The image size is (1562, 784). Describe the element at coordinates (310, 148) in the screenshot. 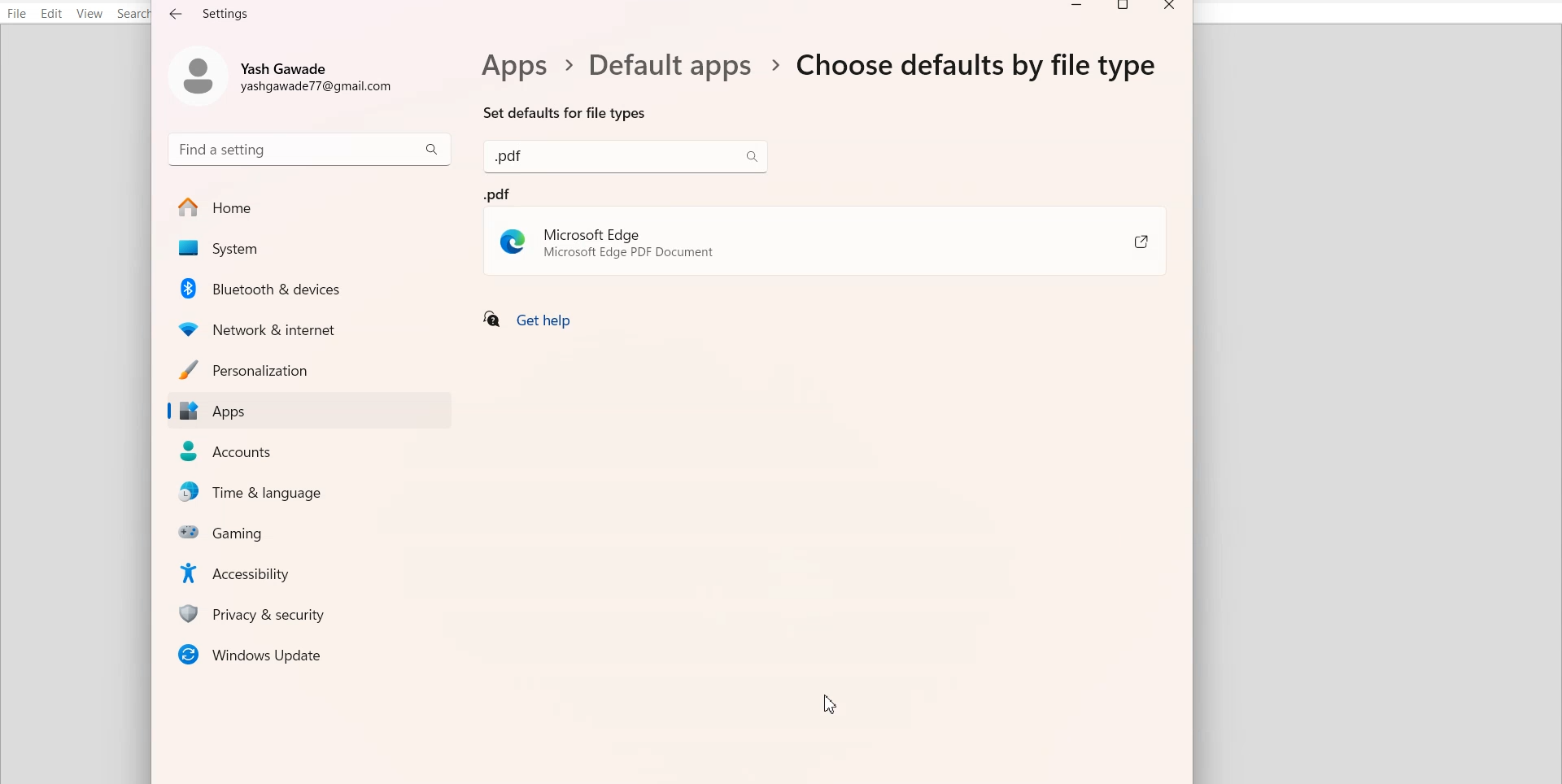

I see `Search bar` at that location.